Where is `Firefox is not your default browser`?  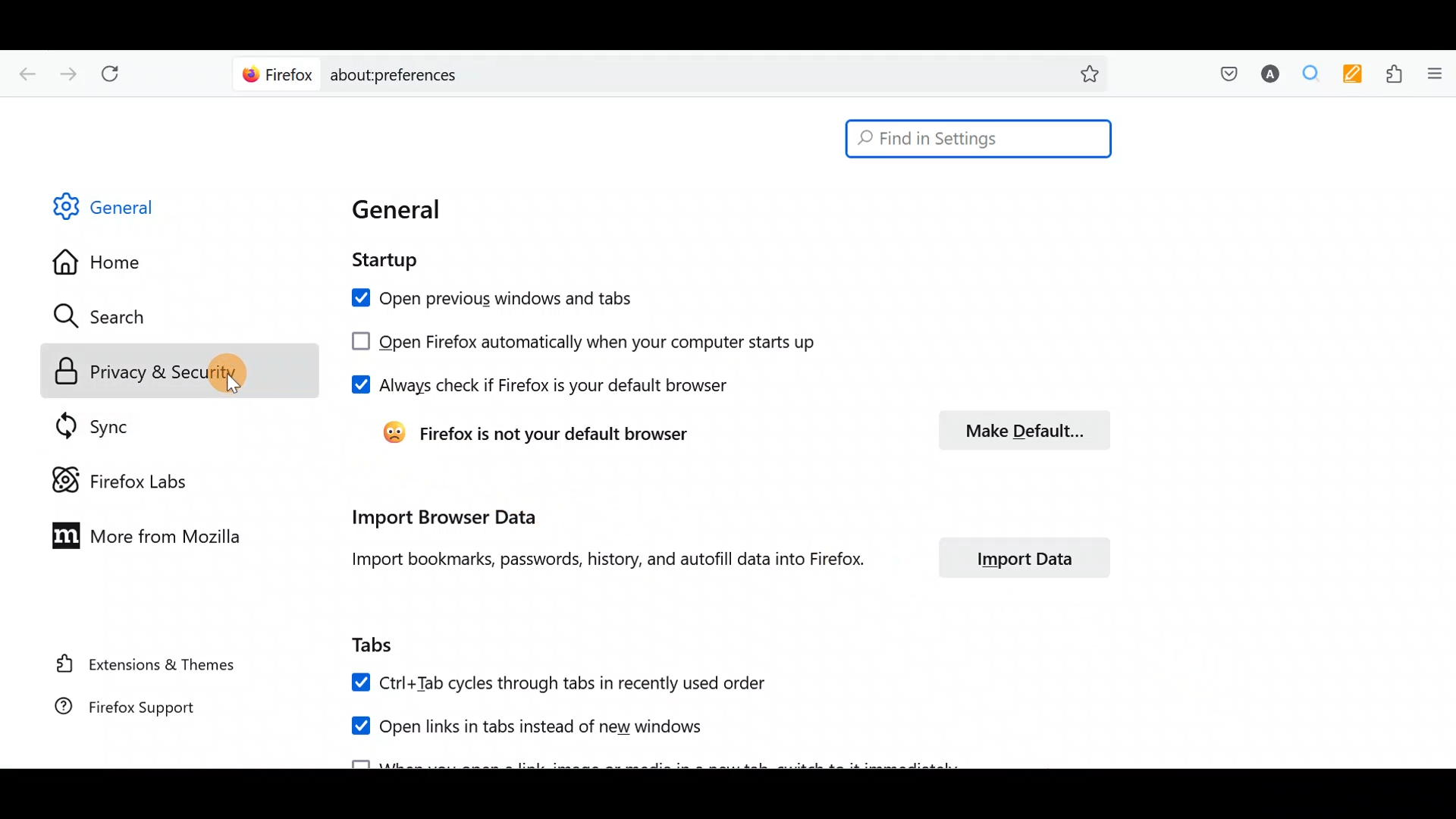 Firefox is not your default browser is located at coordinates (531, 436).